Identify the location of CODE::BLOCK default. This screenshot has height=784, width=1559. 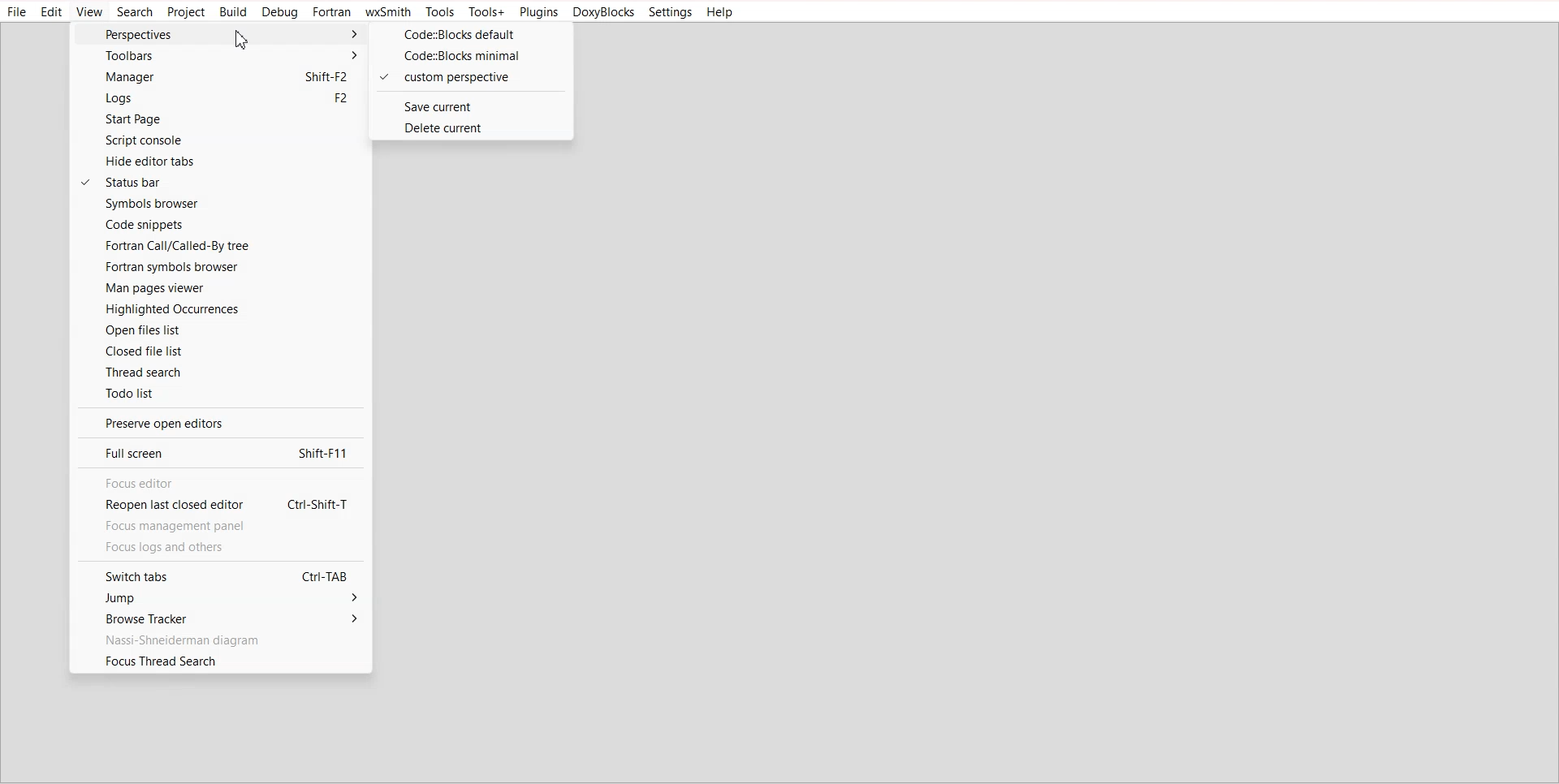
(472, 34).